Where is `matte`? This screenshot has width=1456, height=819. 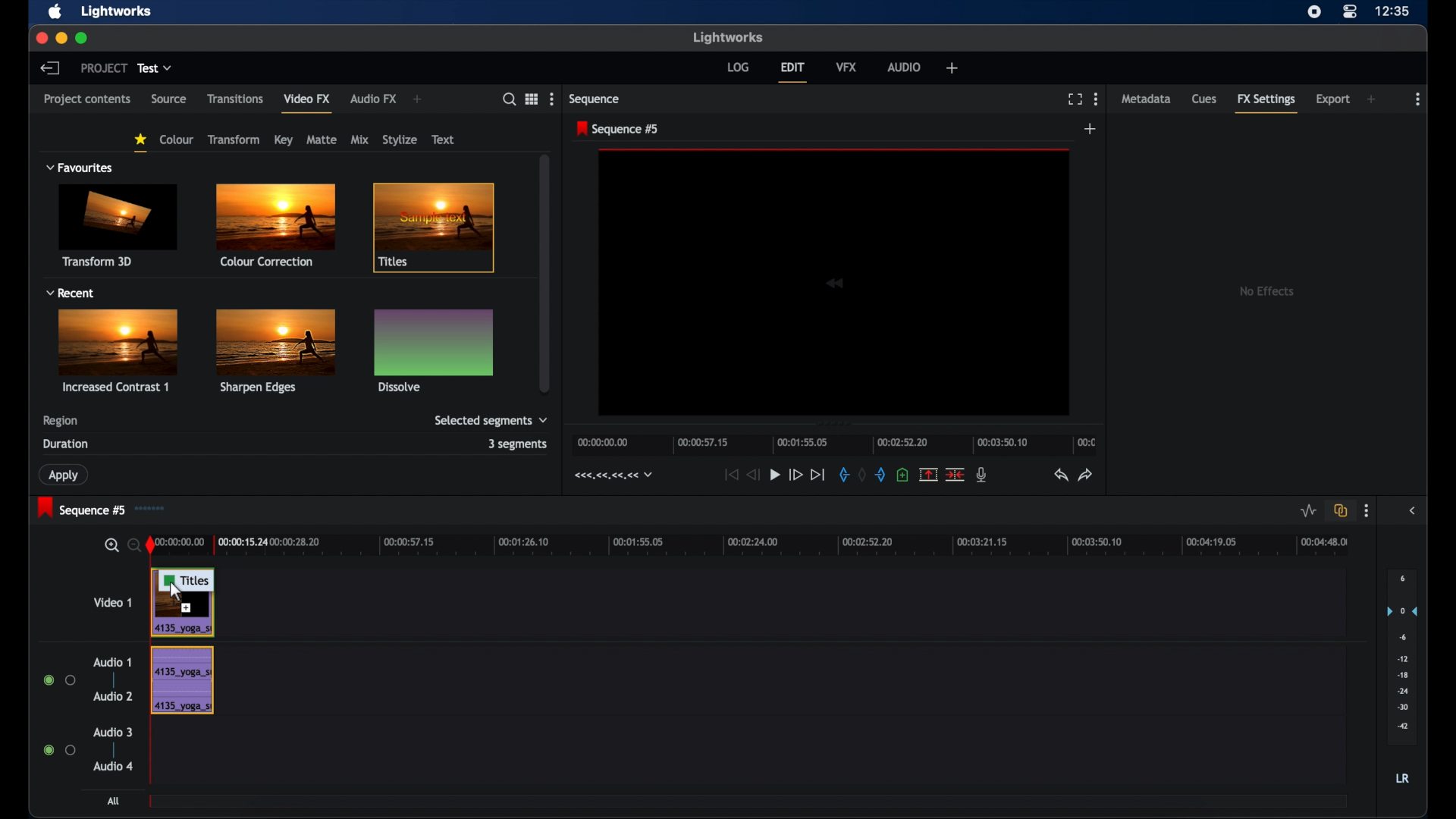 matte is located at coordinates (322, 140).